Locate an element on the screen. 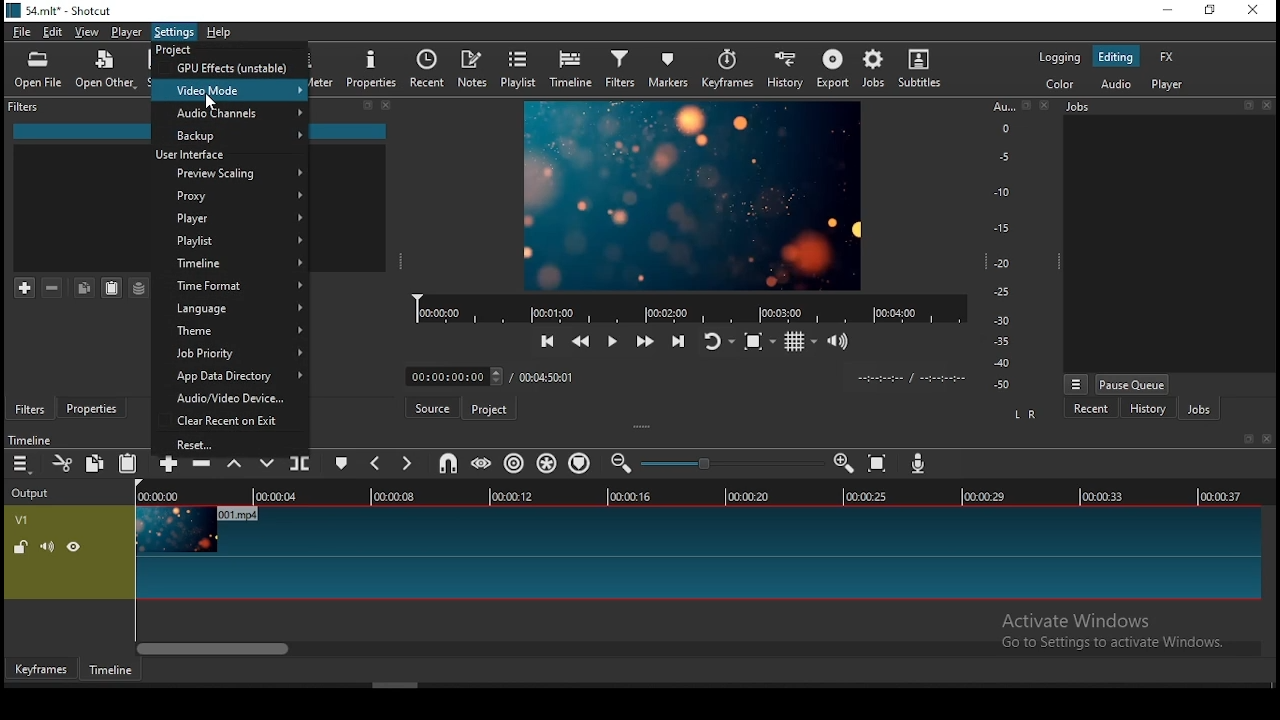 The image size is (1280, 720). subtitles is located at coordinates (919, 68).